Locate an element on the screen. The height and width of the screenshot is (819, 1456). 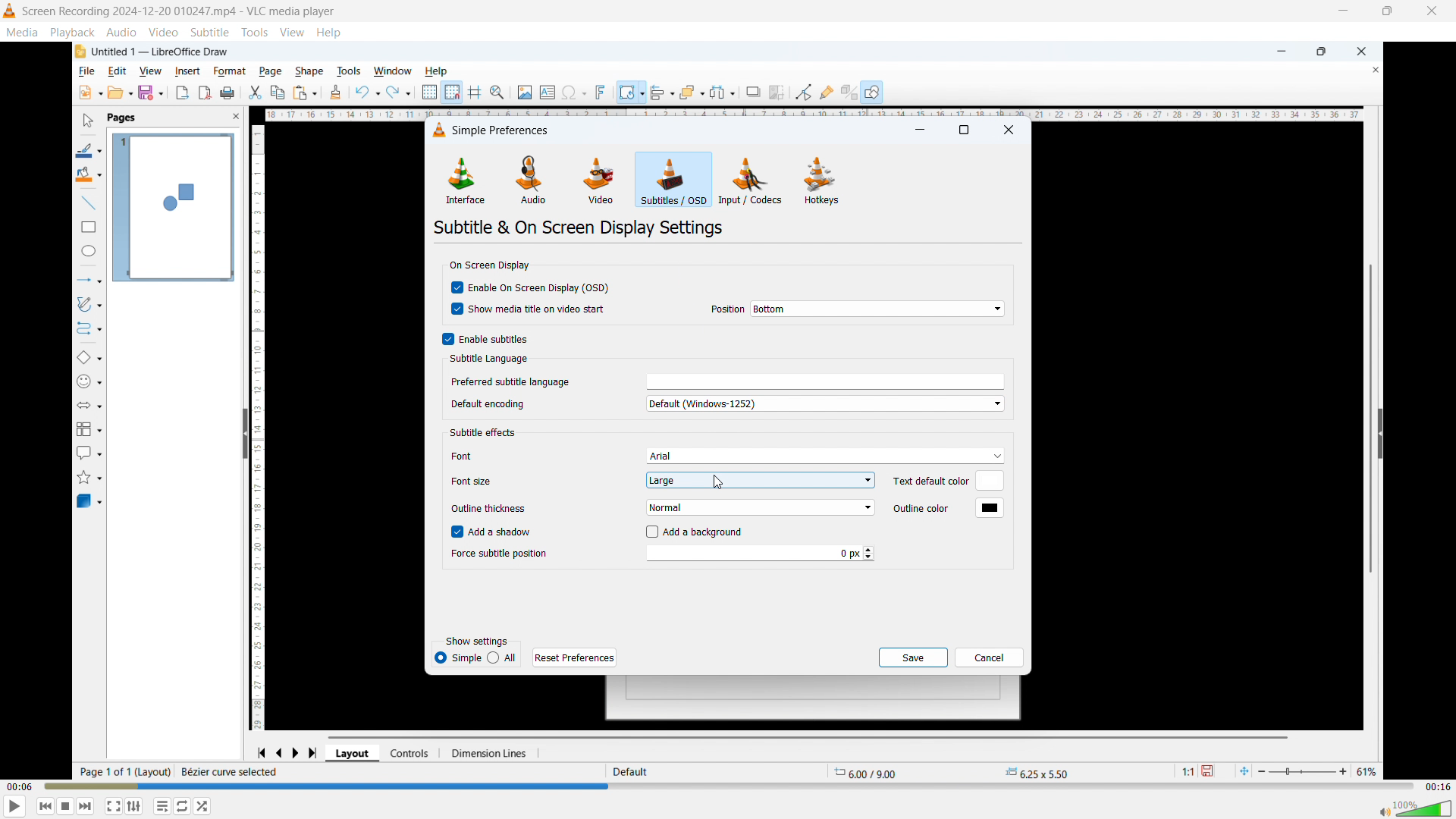
Screen Recording 2024-12-20 010247.mp4 - VLC media player is located at coordinates (180, 12).